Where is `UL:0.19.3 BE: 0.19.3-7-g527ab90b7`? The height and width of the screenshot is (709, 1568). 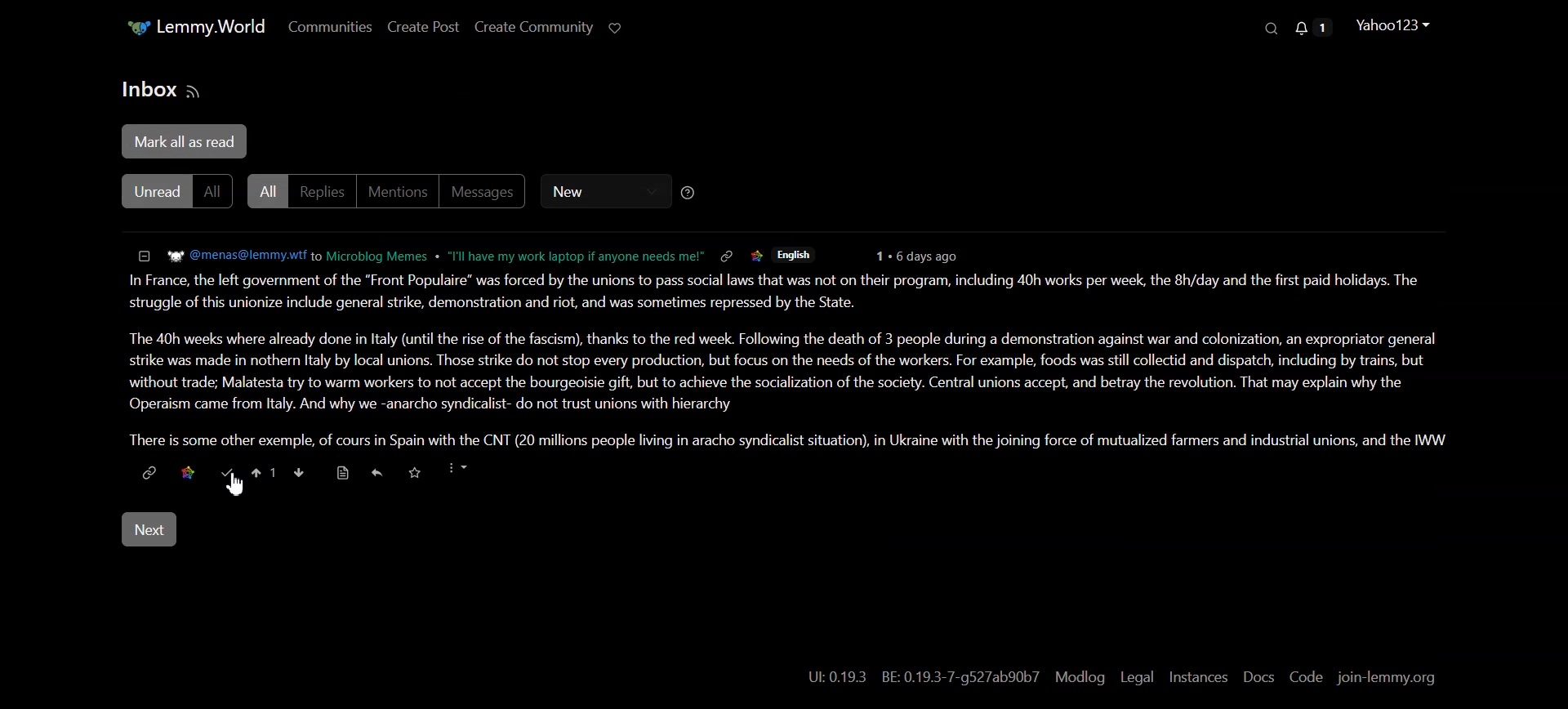 UL:0.19.3 BE: 0.19.3-7-g527ab90b7 is located at coordinates (919, 679).